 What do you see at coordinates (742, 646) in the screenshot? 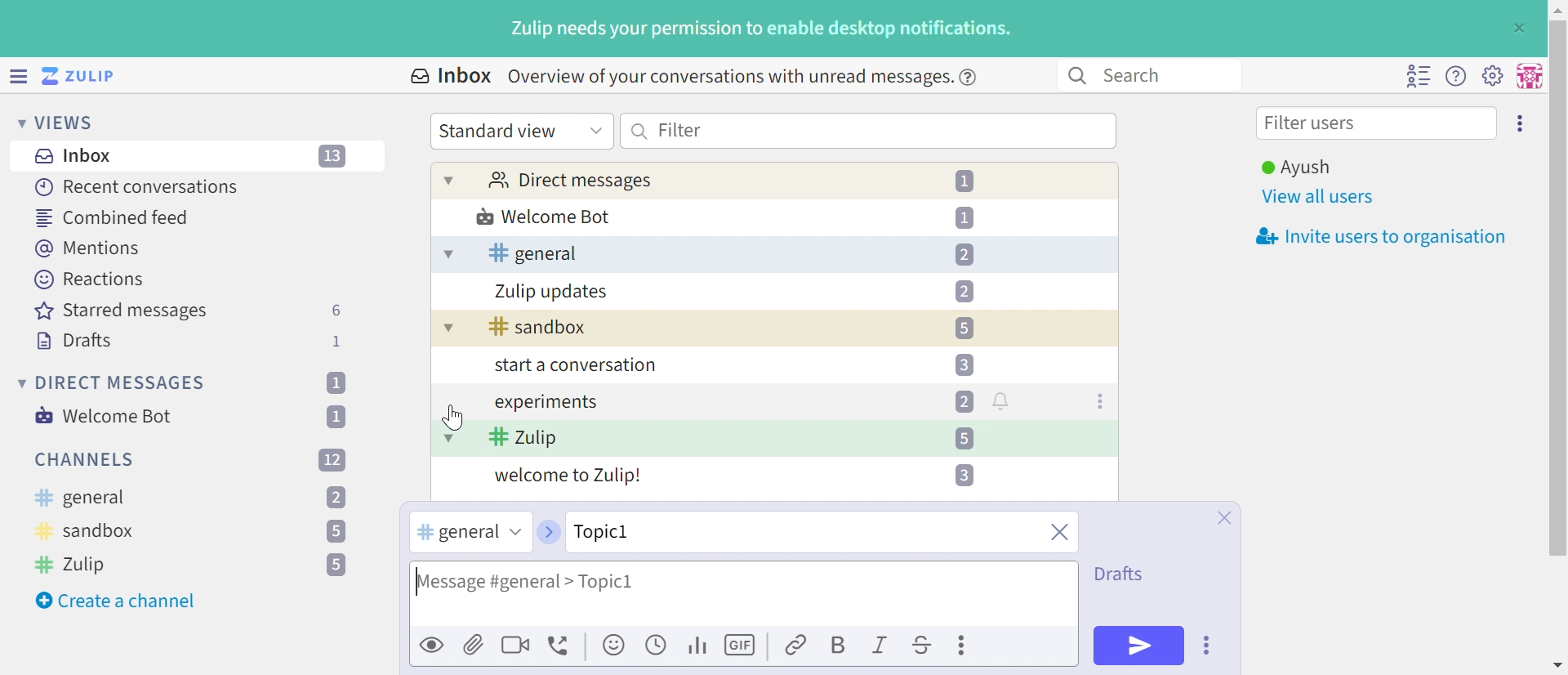
I see `GIF` at bounding box center [742, 646].